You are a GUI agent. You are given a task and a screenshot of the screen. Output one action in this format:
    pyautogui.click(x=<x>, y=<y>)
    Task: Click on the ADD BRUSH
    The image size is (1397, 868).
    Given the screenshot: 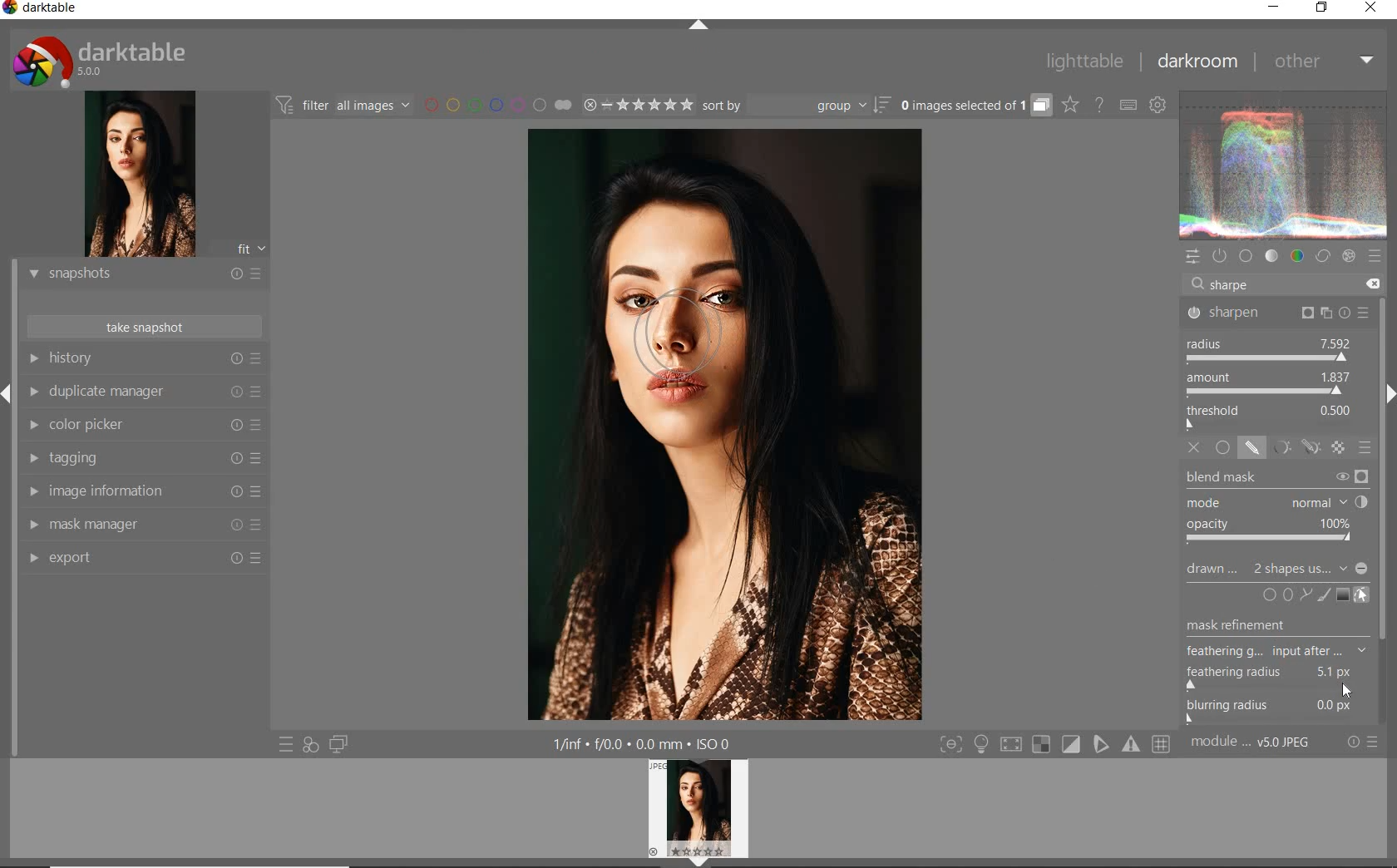 What is the action you would take?
    pyautogui.click(x=1324, y=596)
    